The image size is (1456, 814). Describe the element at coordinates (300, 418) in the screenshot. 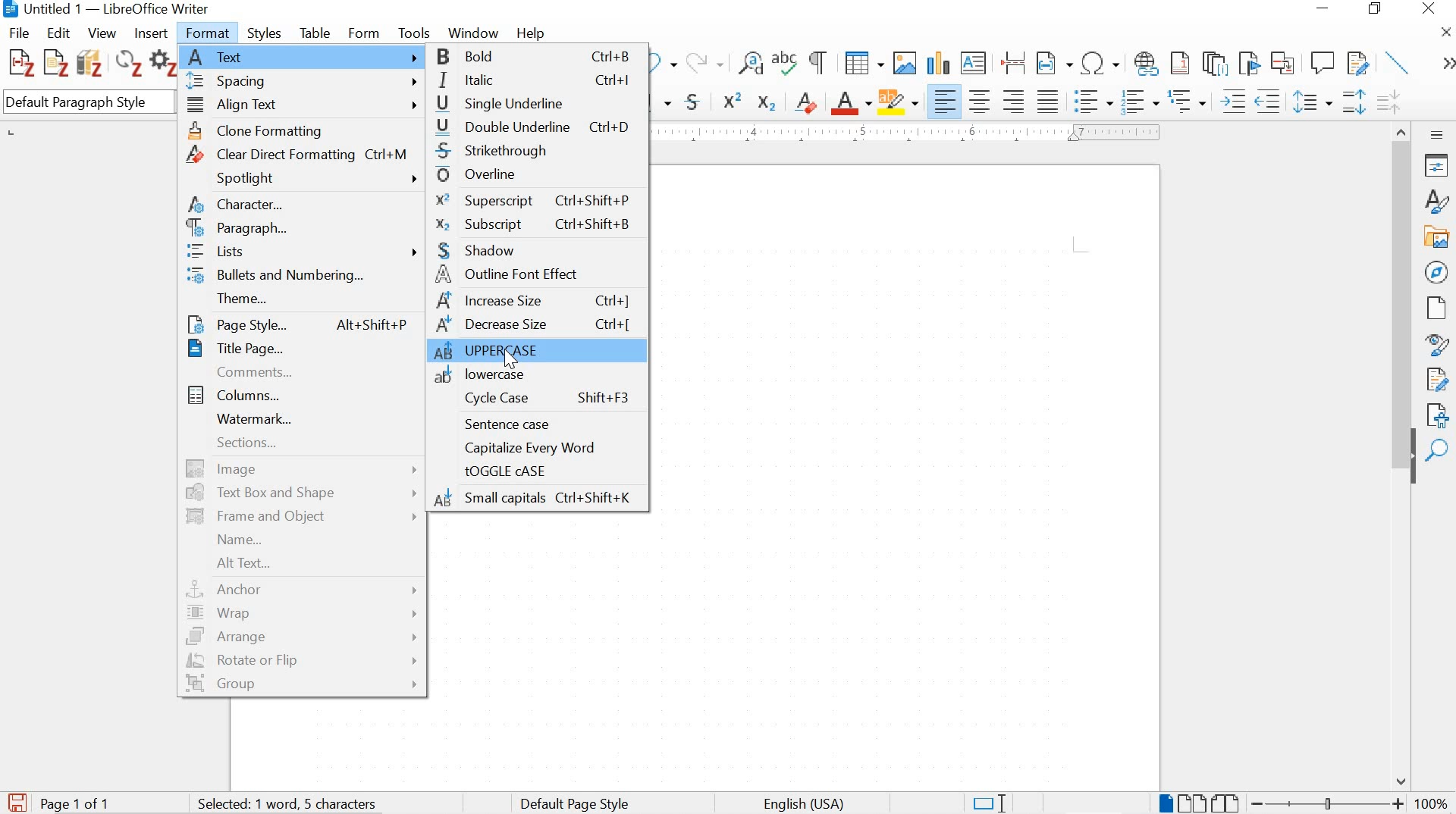

I see `watermark` at that location.